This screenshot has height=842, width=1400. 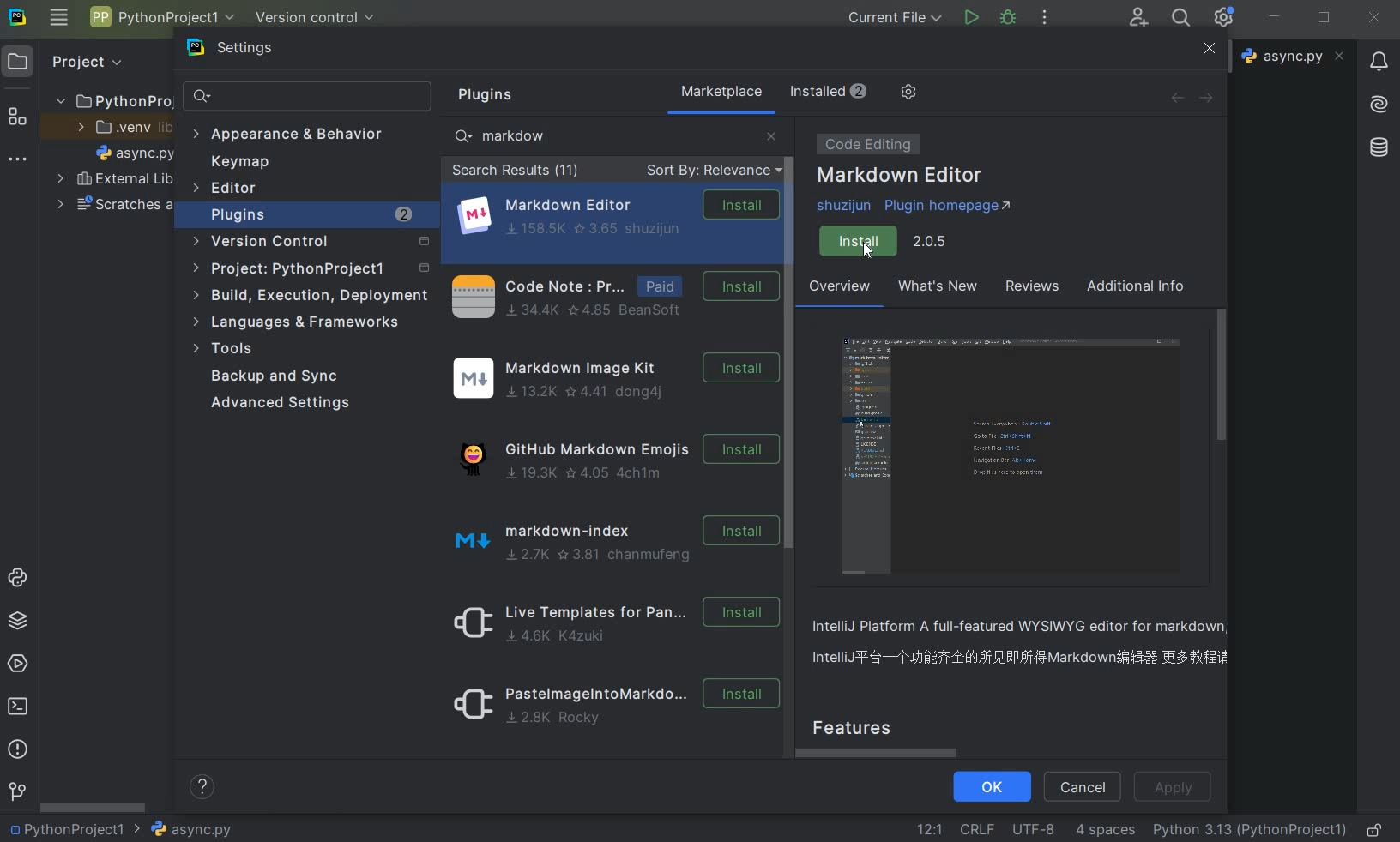 What do you see at coordinates (1033, 827) in the screenshot?
I see `fine encoding` at bounding box center [1033, 827].